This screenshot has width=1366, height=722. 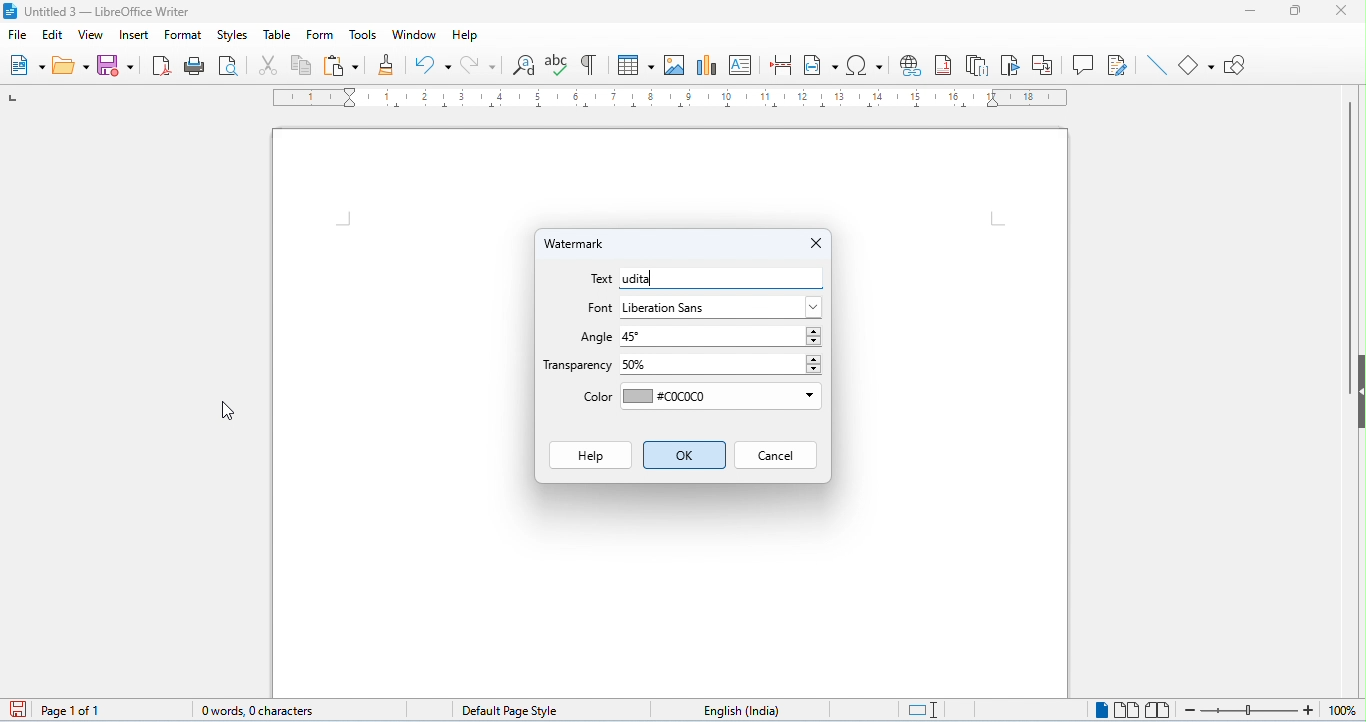 I want to click on clone, so click(x=387, y=63).